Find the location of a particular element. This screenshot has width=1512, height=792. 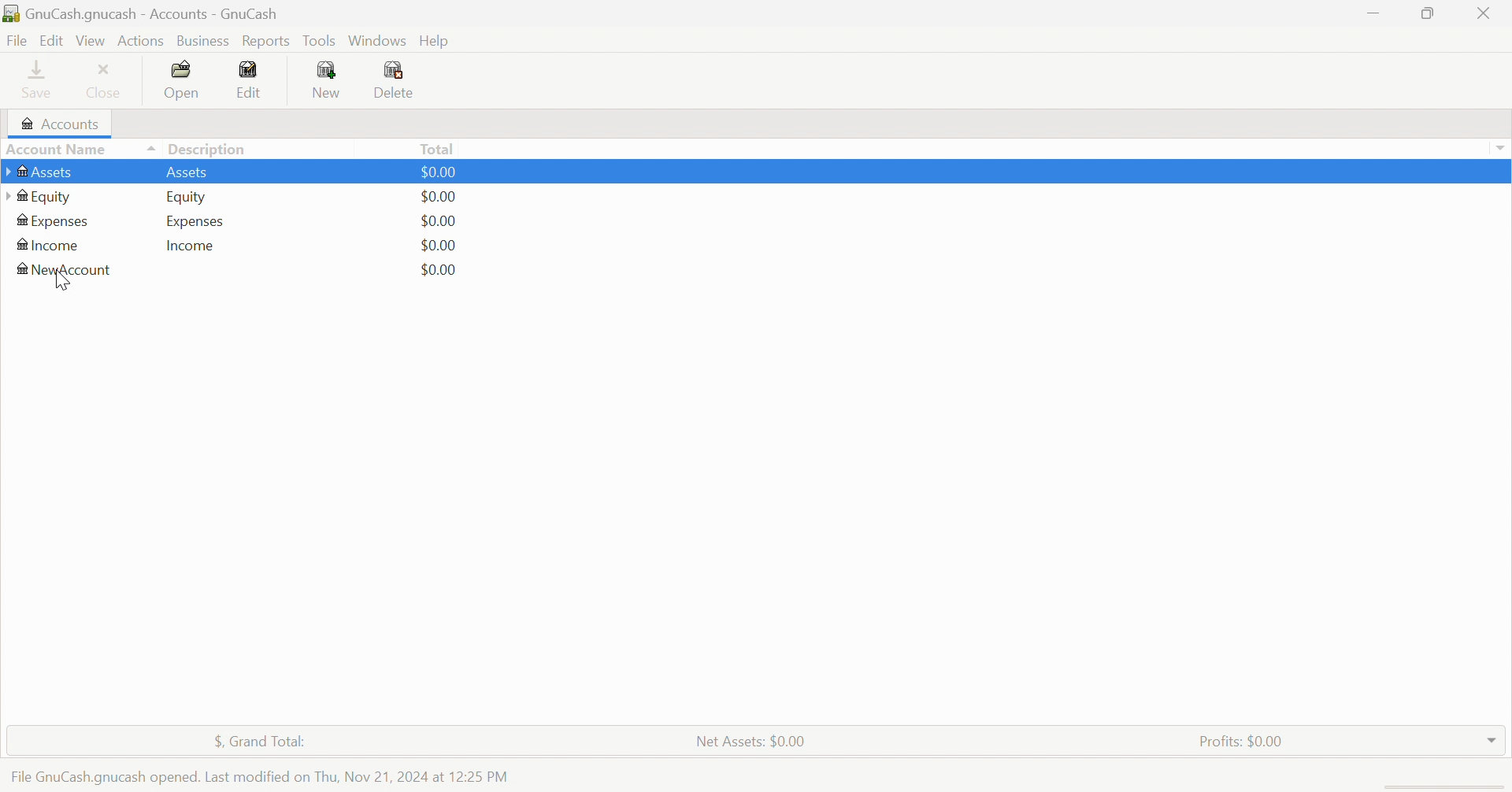

$0.00 is located at coordinates (440, 221).